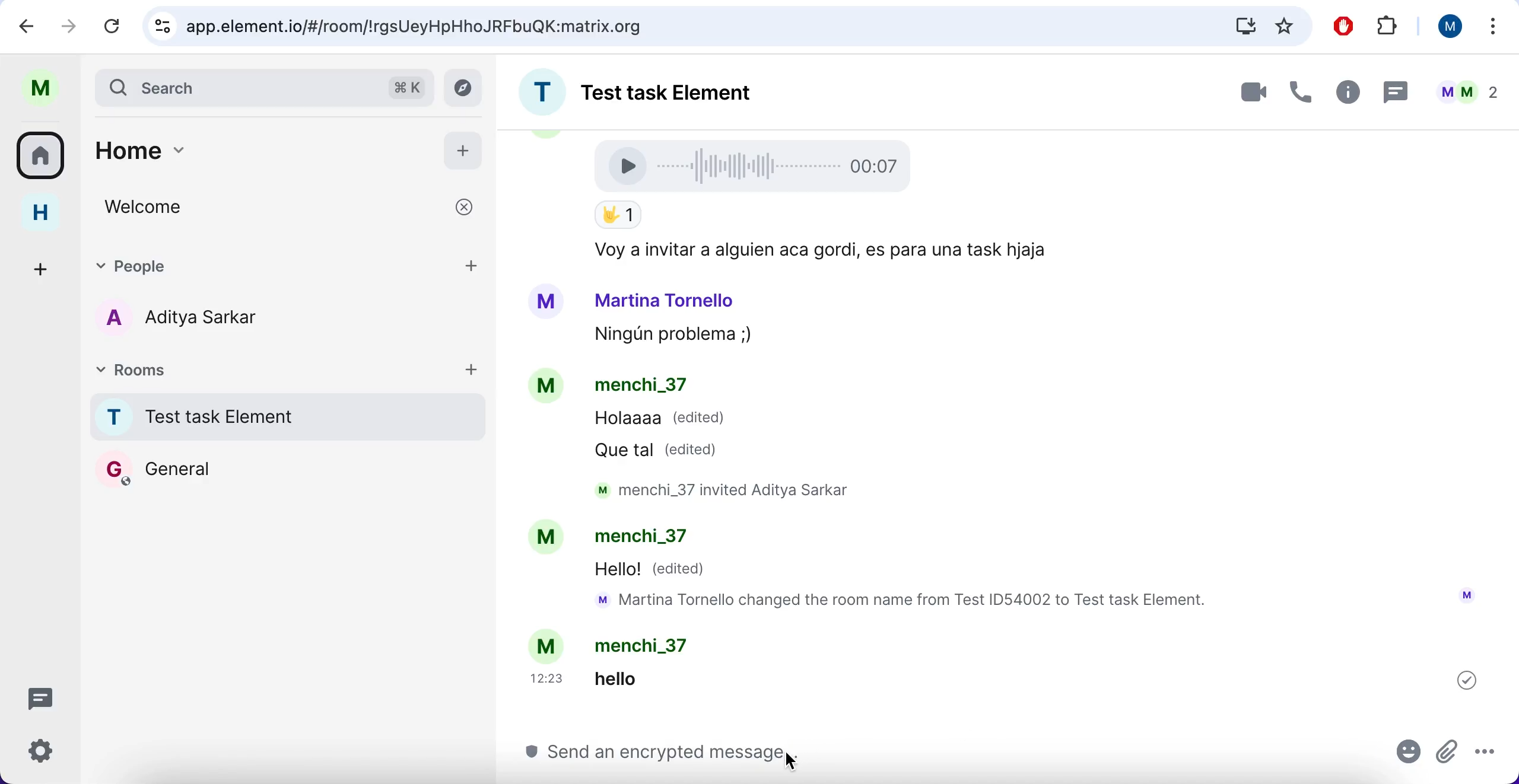 Image resolution: width=1519 pixels, height=784 pixels. Describe the element at coordinates (466, 88) in the screenshot. I see `explore rooms` at that location.